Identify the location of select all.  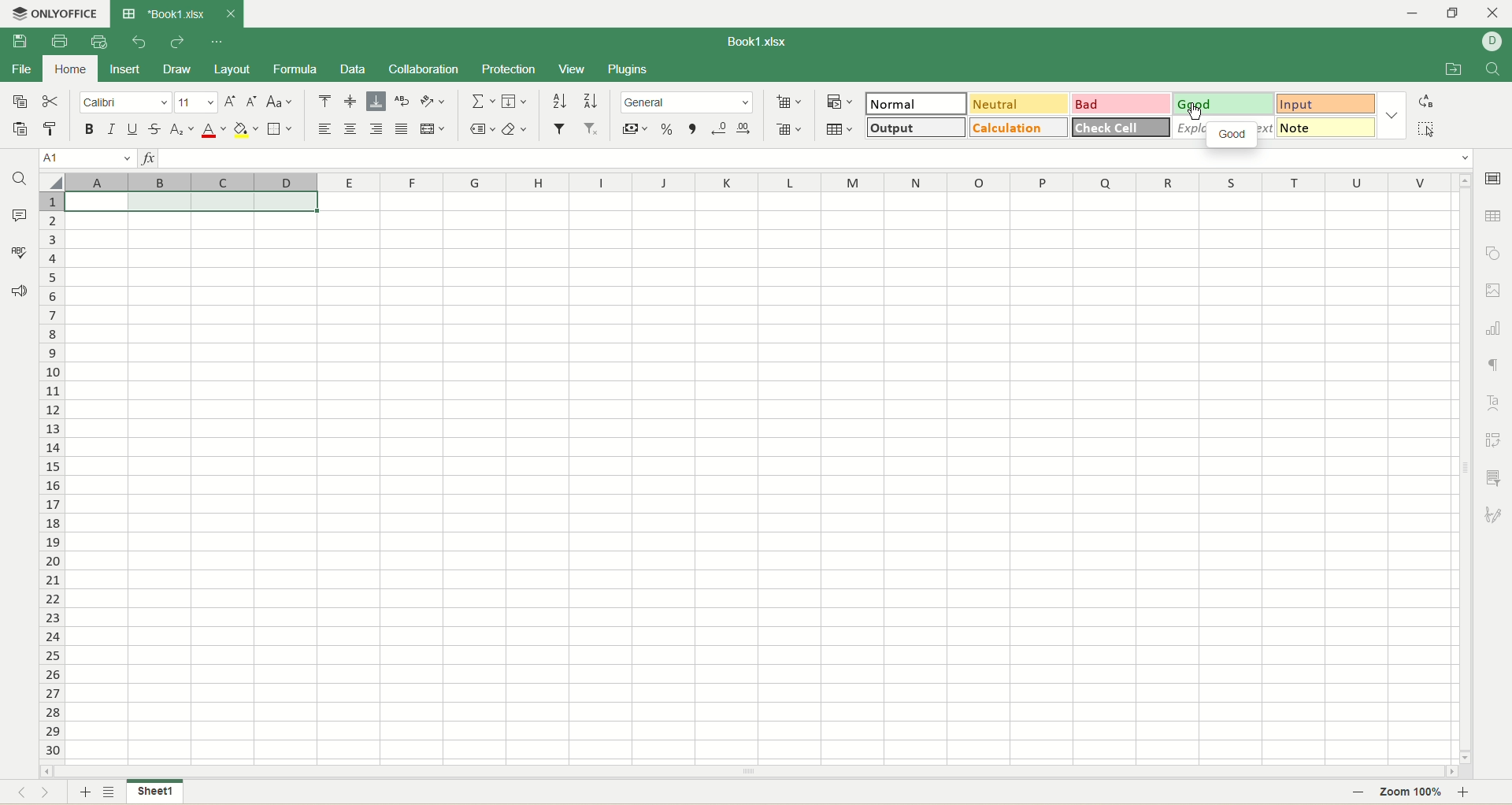
(1424, 129).